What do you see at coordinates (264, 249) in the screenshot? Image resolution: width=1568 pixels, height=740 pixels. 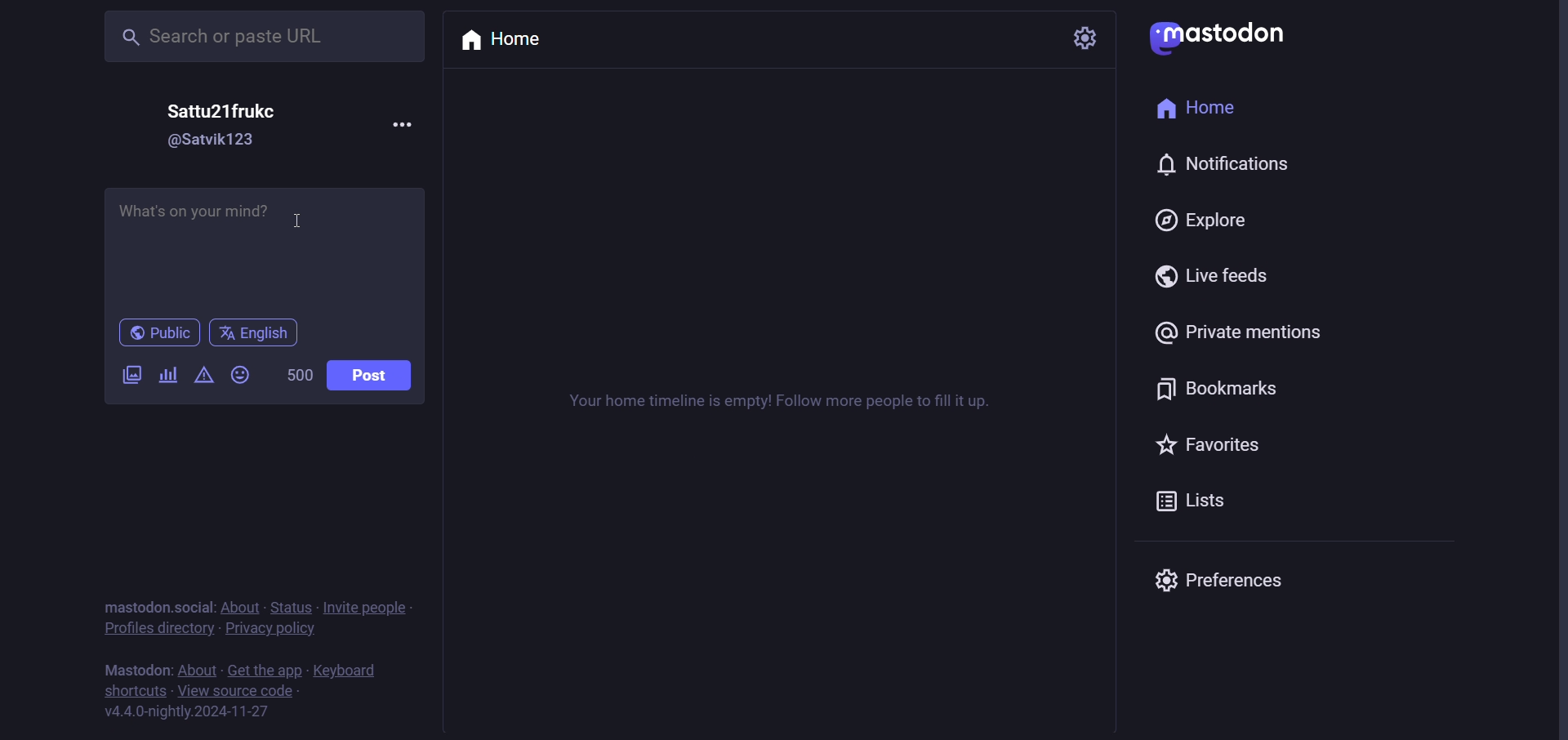 I see `What's on your mind?` at bounding box center [264, 249].